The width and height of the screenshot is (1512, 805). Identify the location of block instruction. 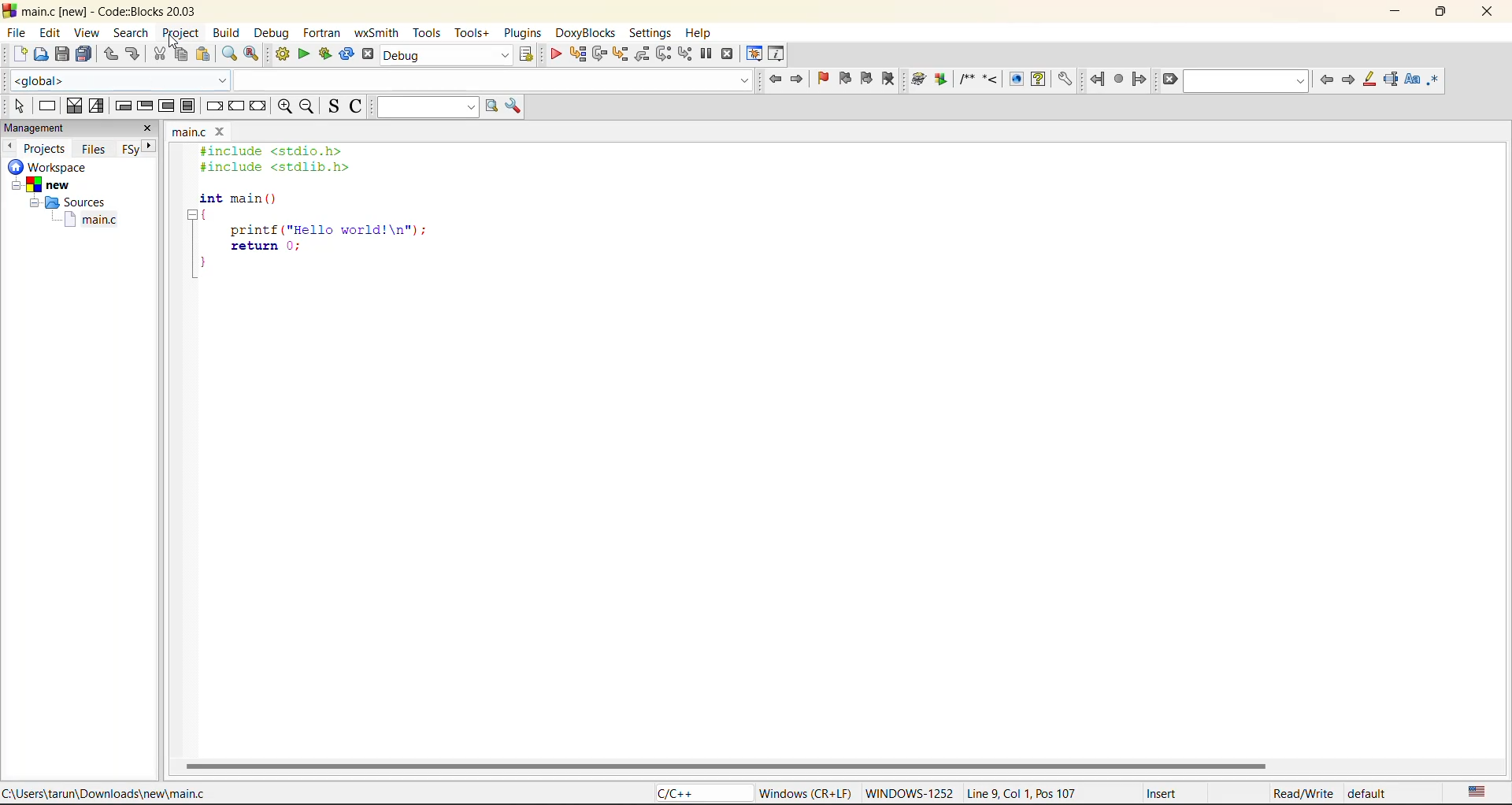
(190, 105).